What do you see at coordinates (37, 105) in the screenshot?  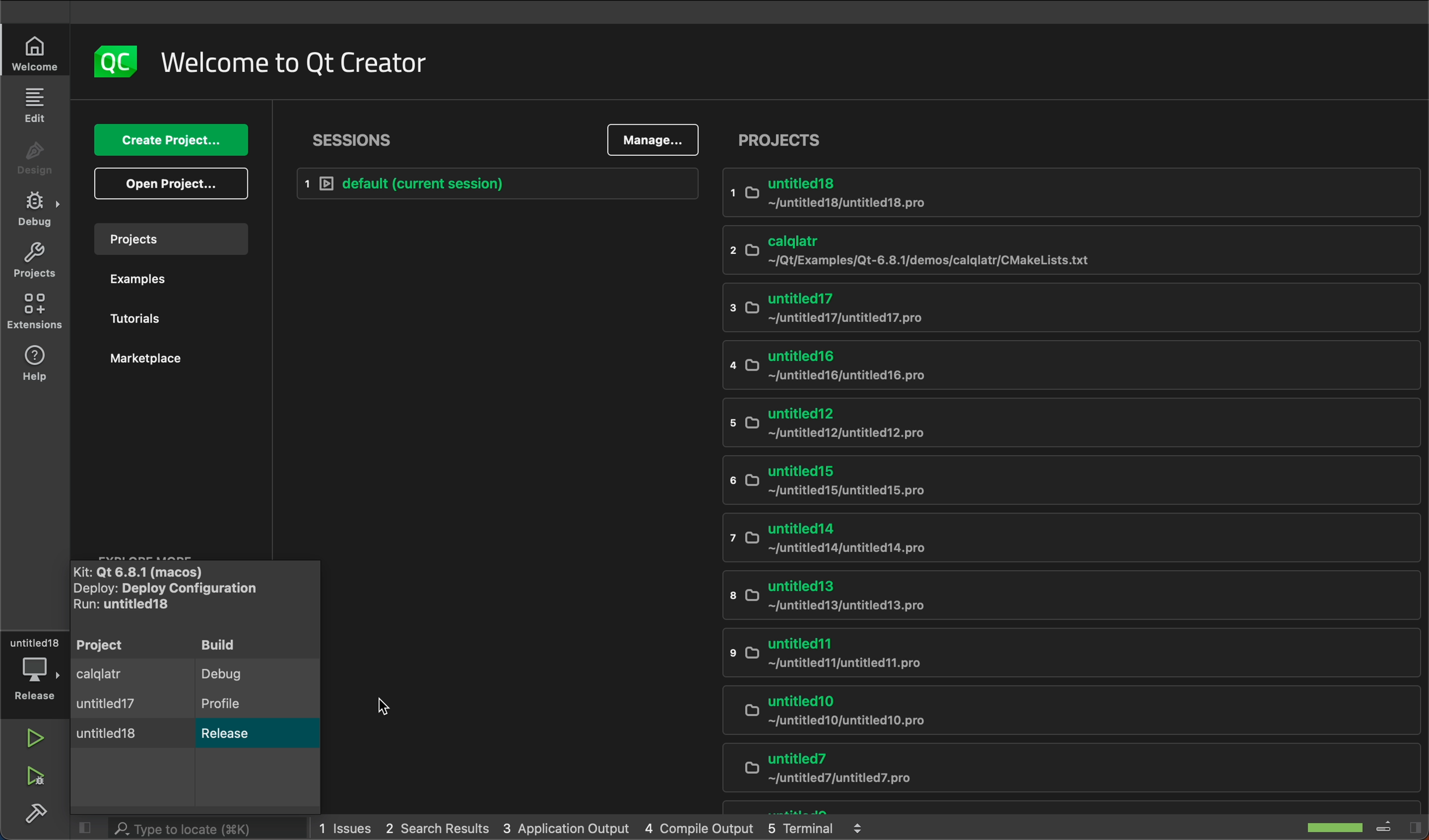 I see `edit` at bounding box center [37, 105].